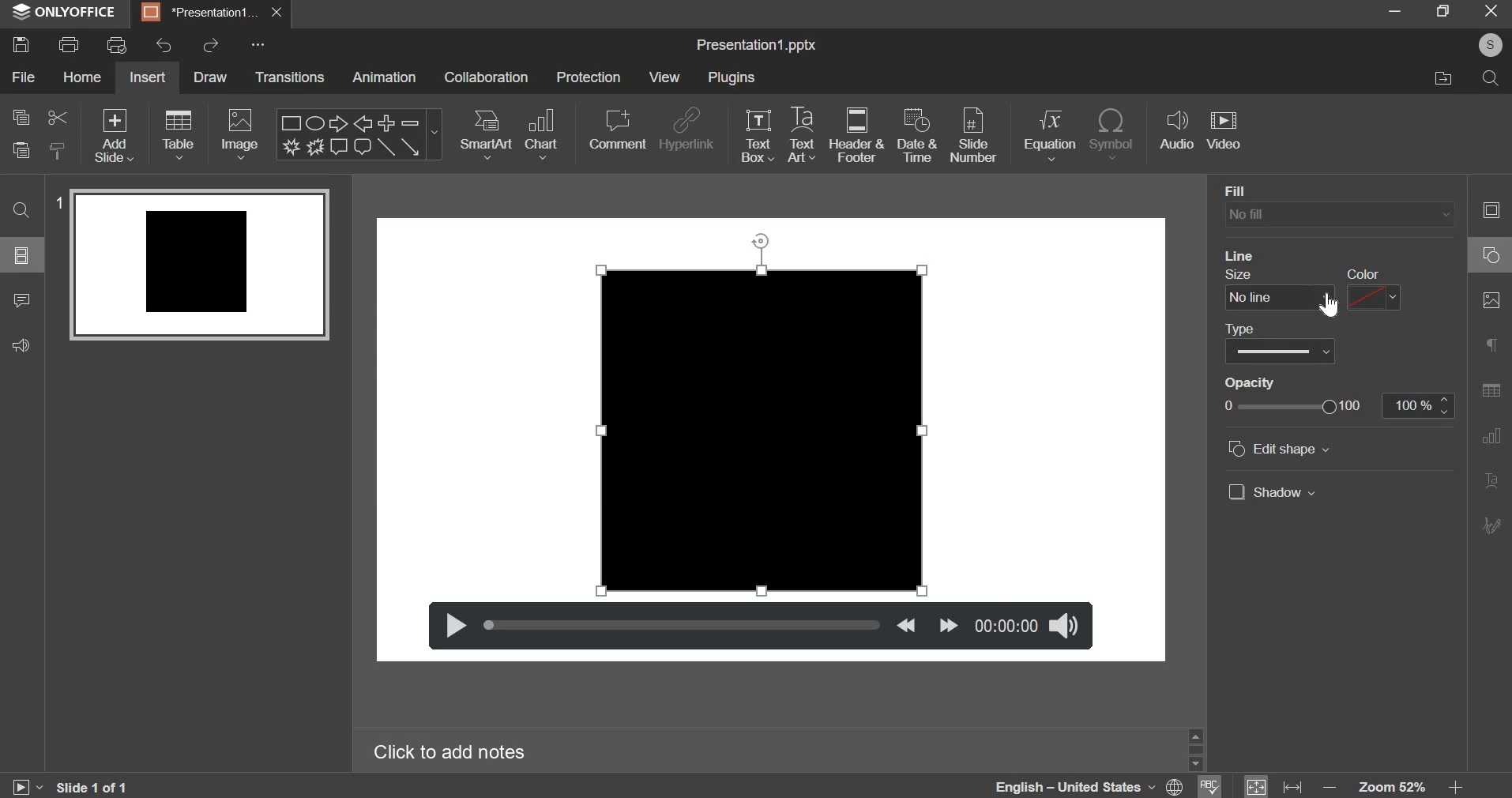  I want to click on draw, so click(211, 79).